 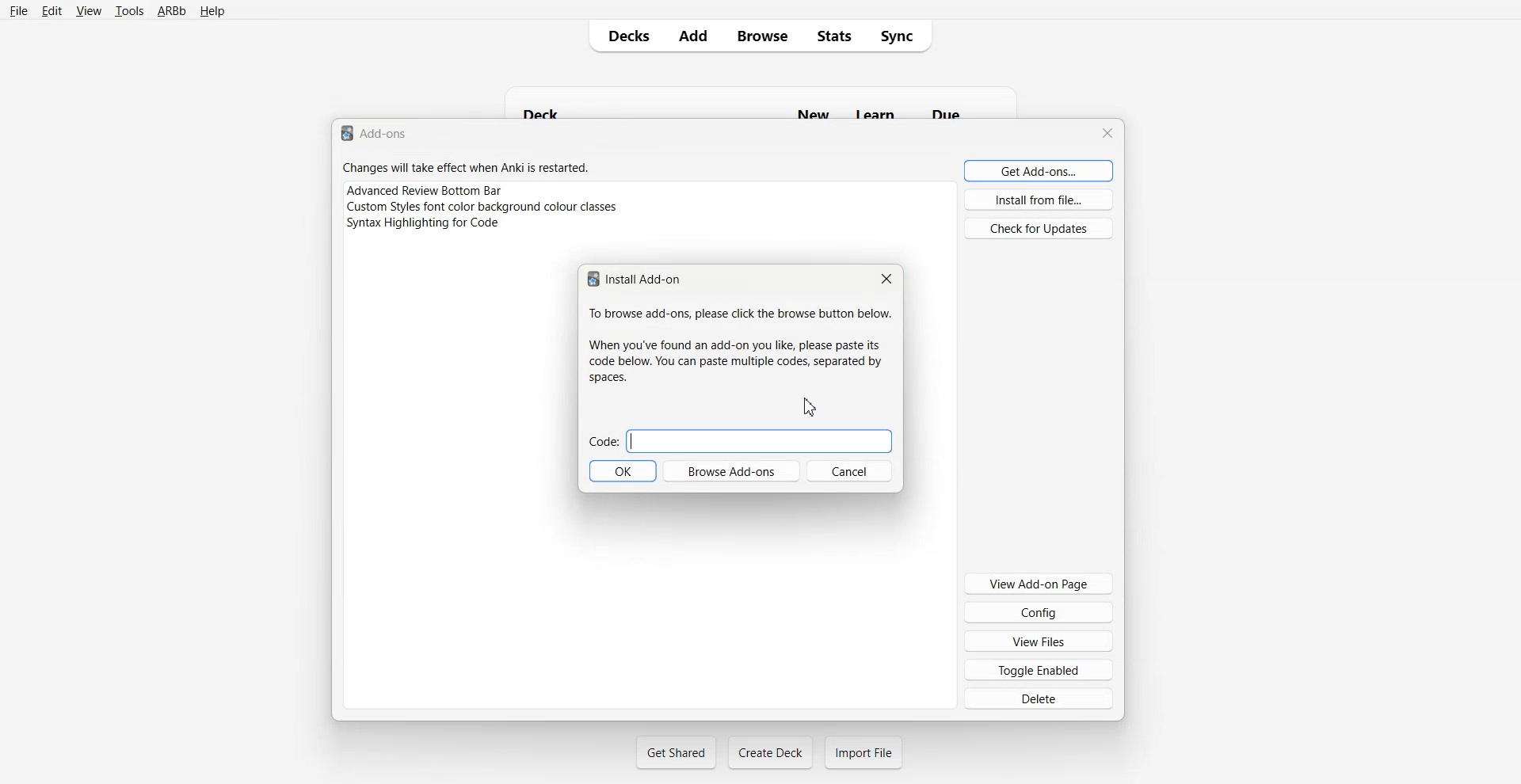 What do you see at coordinates (650, 223) in the screenshot?
I see `Syntax Highlight for code` at bounding box center [650, 223].